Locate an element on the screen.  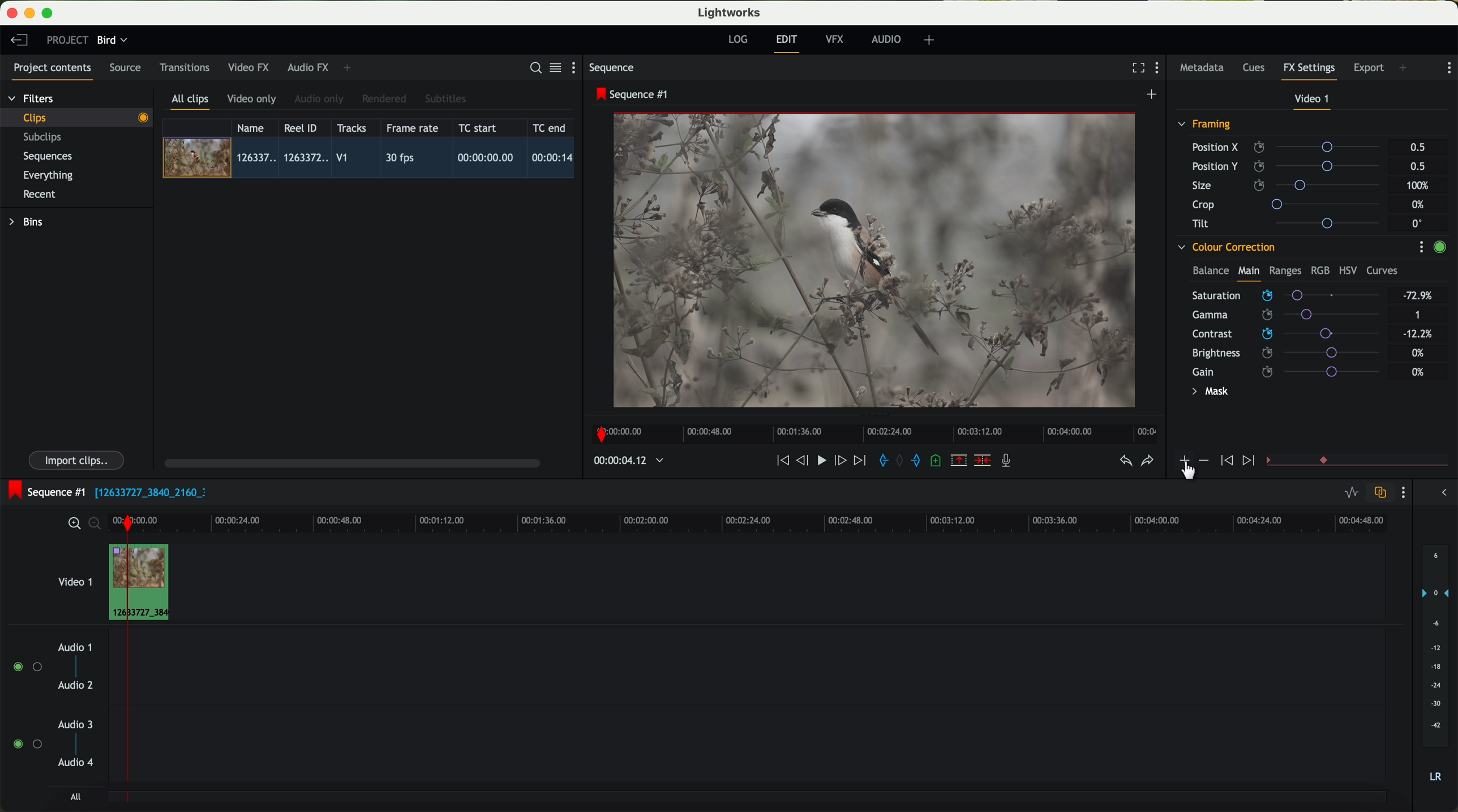
balance is located at coordinates (1211, 272).